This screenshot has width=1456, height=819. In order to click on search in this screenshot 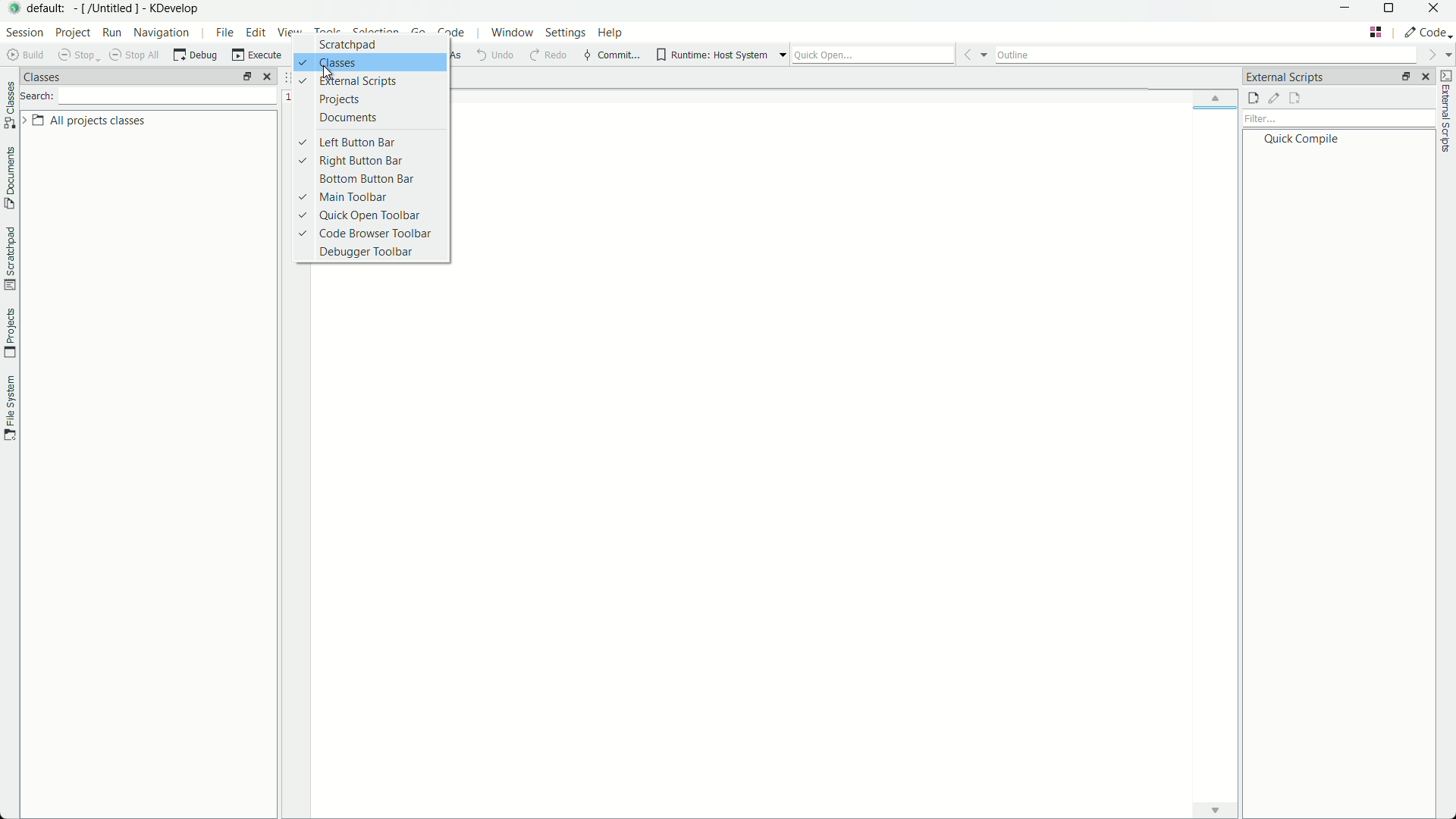, I will do `click(147, 97)`.